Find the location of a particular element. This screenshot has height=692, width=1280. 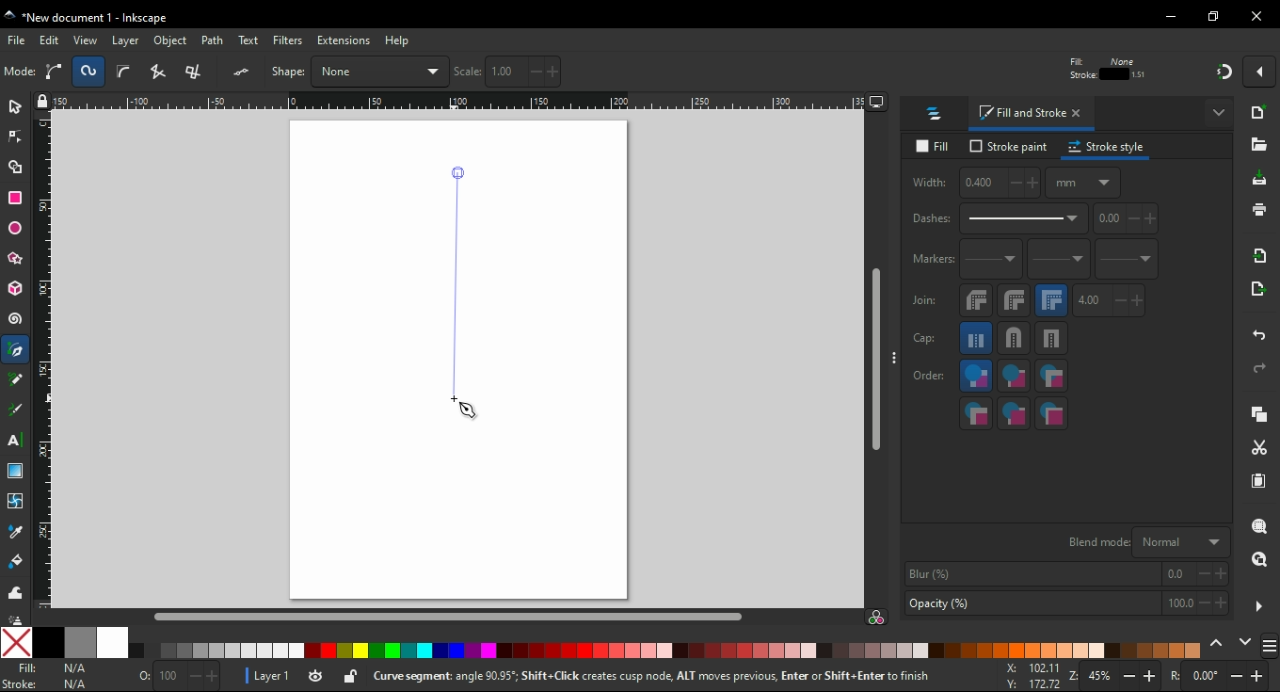

restore is located at coordinates (1216, 16).